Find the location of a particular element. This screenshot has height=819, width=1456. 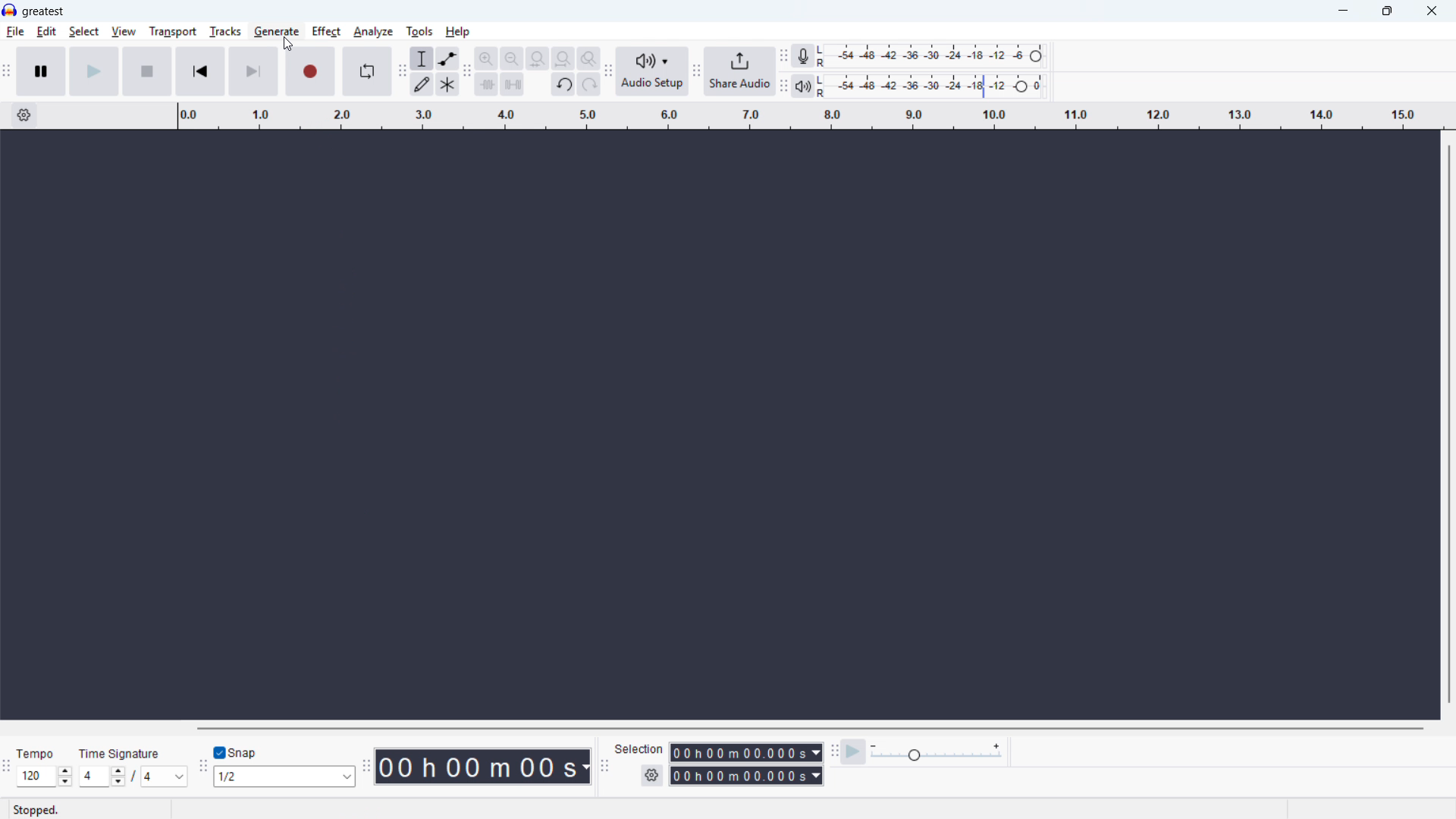

audio setup is located at coordinates (653, 72).